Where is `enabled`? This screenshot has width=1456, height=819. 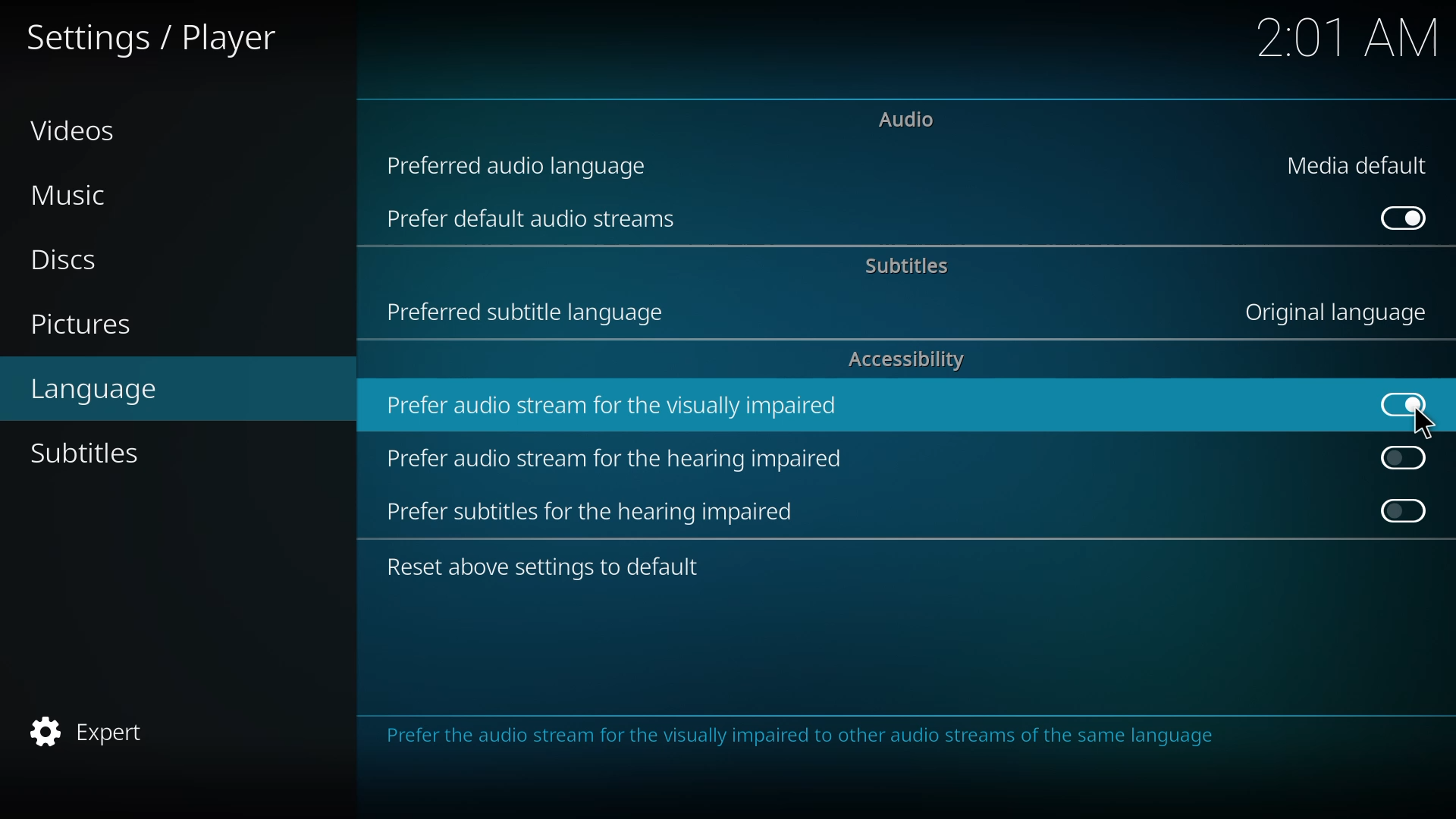
enabled is located at coordinates (1403, 218).